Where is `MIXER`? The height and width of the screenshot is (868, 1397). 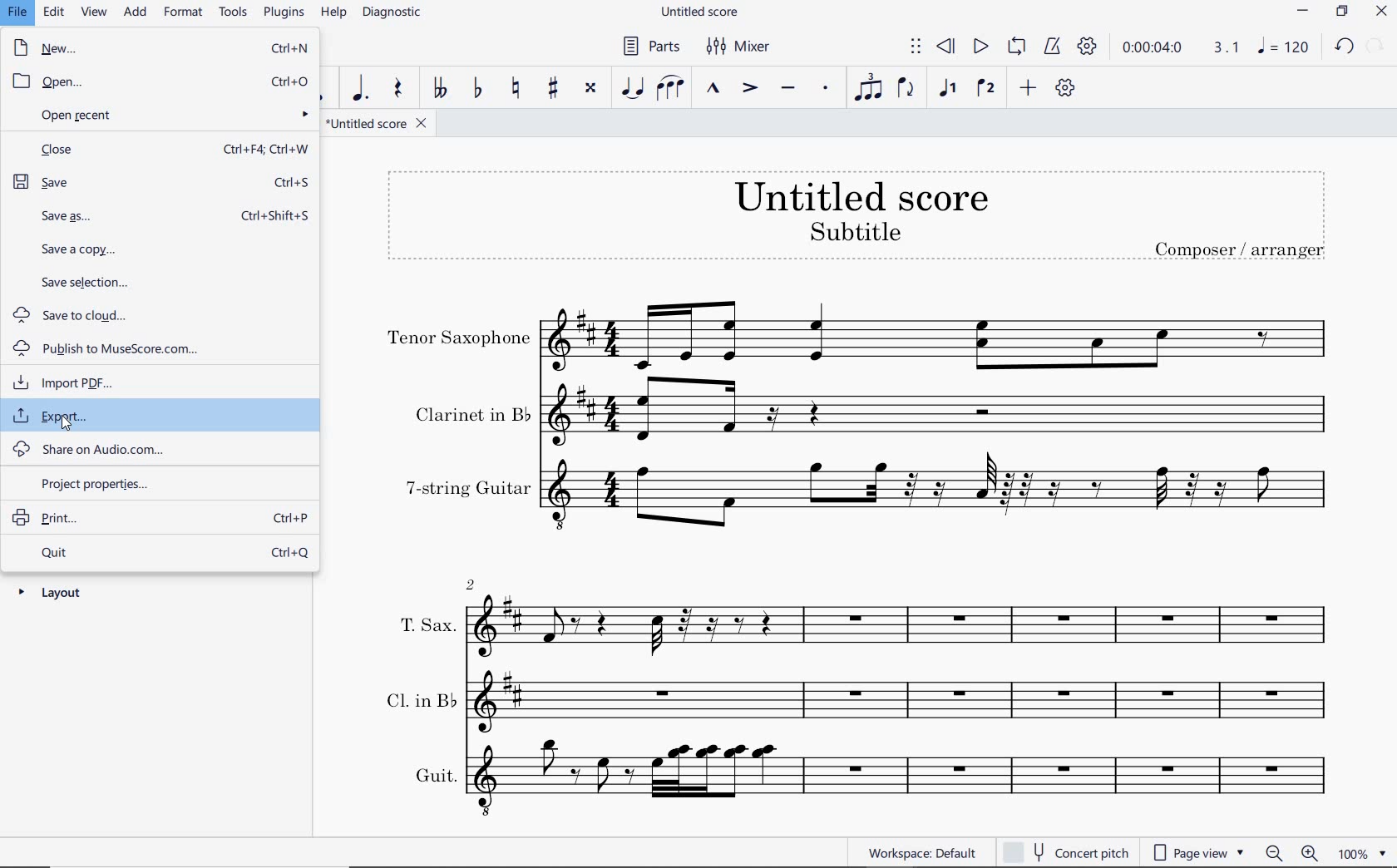 MIXER is located at coordinates (745, 47).